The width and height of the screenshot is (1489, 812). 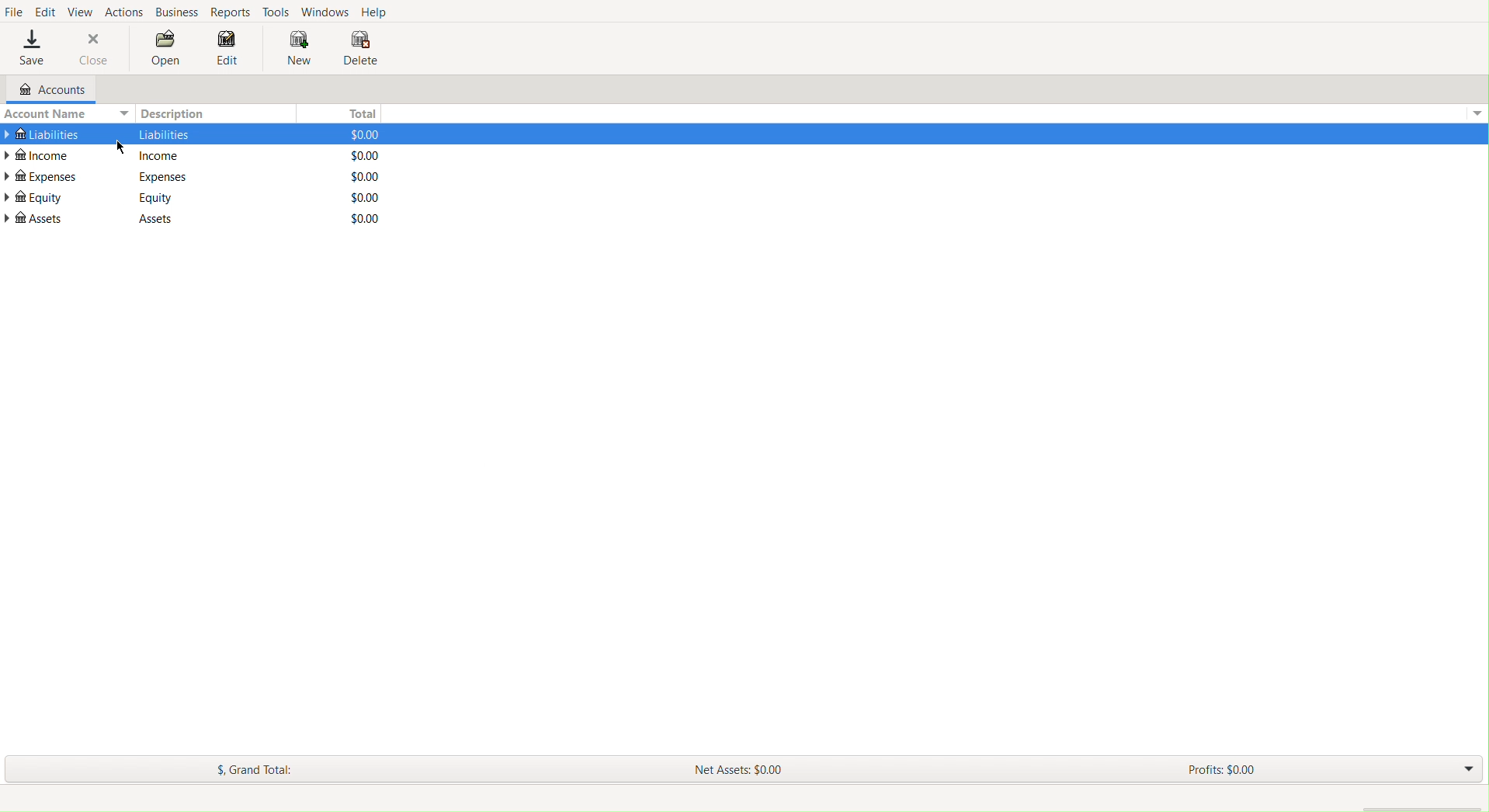 What do you see at coordinates (32, 49) in the screenshot?
I see `Save` at bounding box center [32, 49].